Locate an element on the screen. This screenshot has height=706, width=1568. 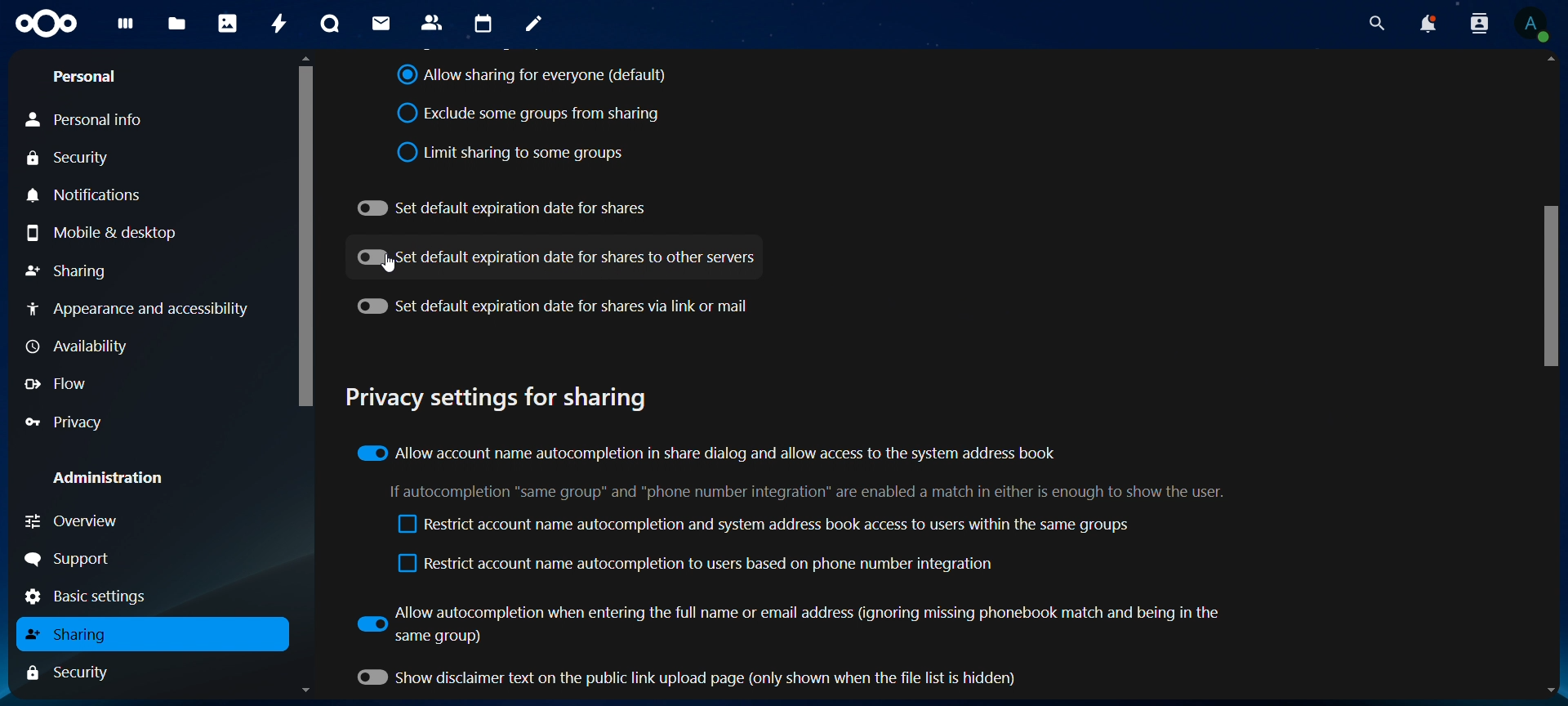
restrict account name autocompletion and system address book access to usersswithin the same groups is located at coordinates (766, 524).